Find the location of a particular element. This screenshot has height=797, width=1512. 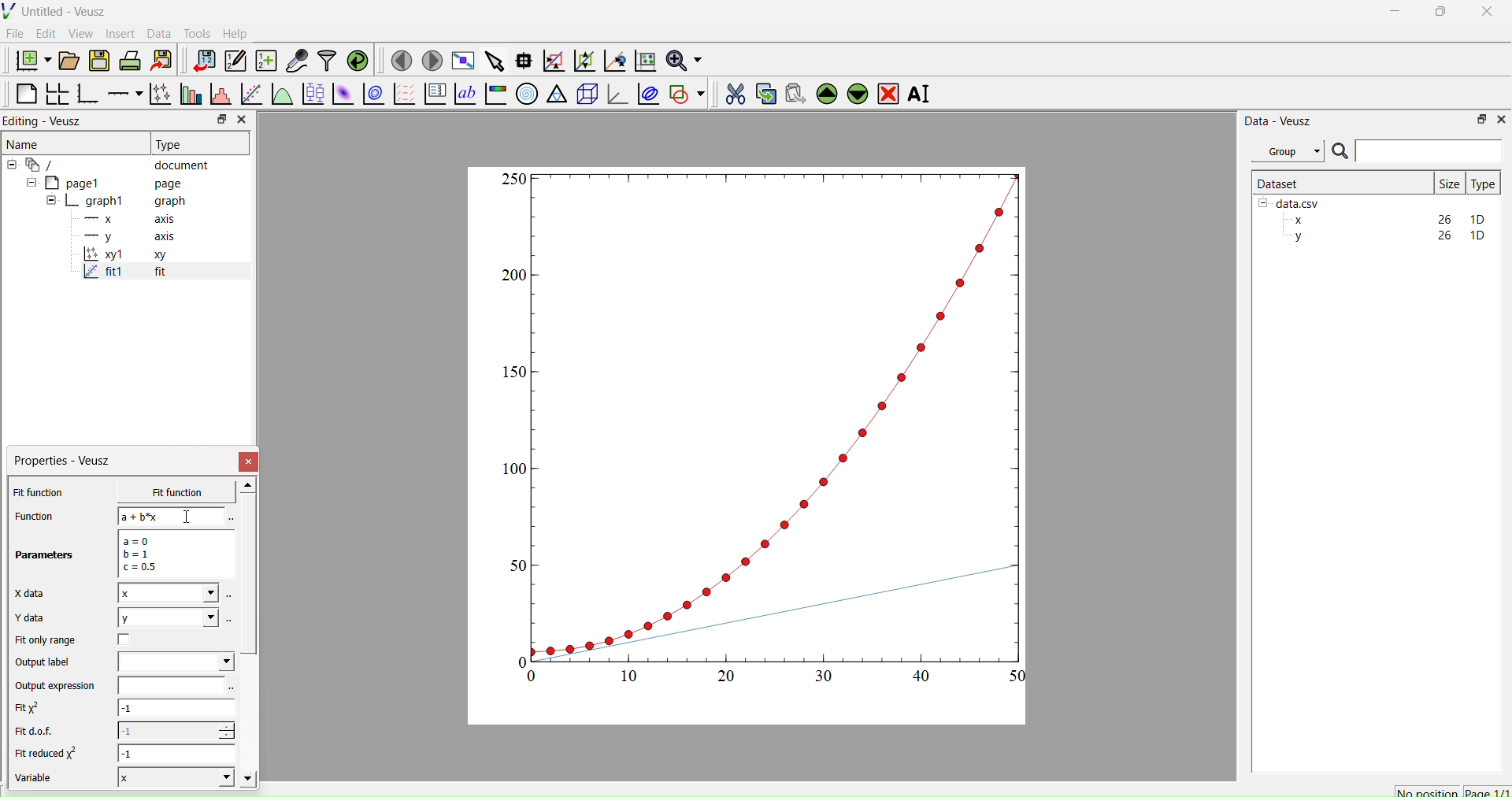

Paste is located at coordinates (793, 91).